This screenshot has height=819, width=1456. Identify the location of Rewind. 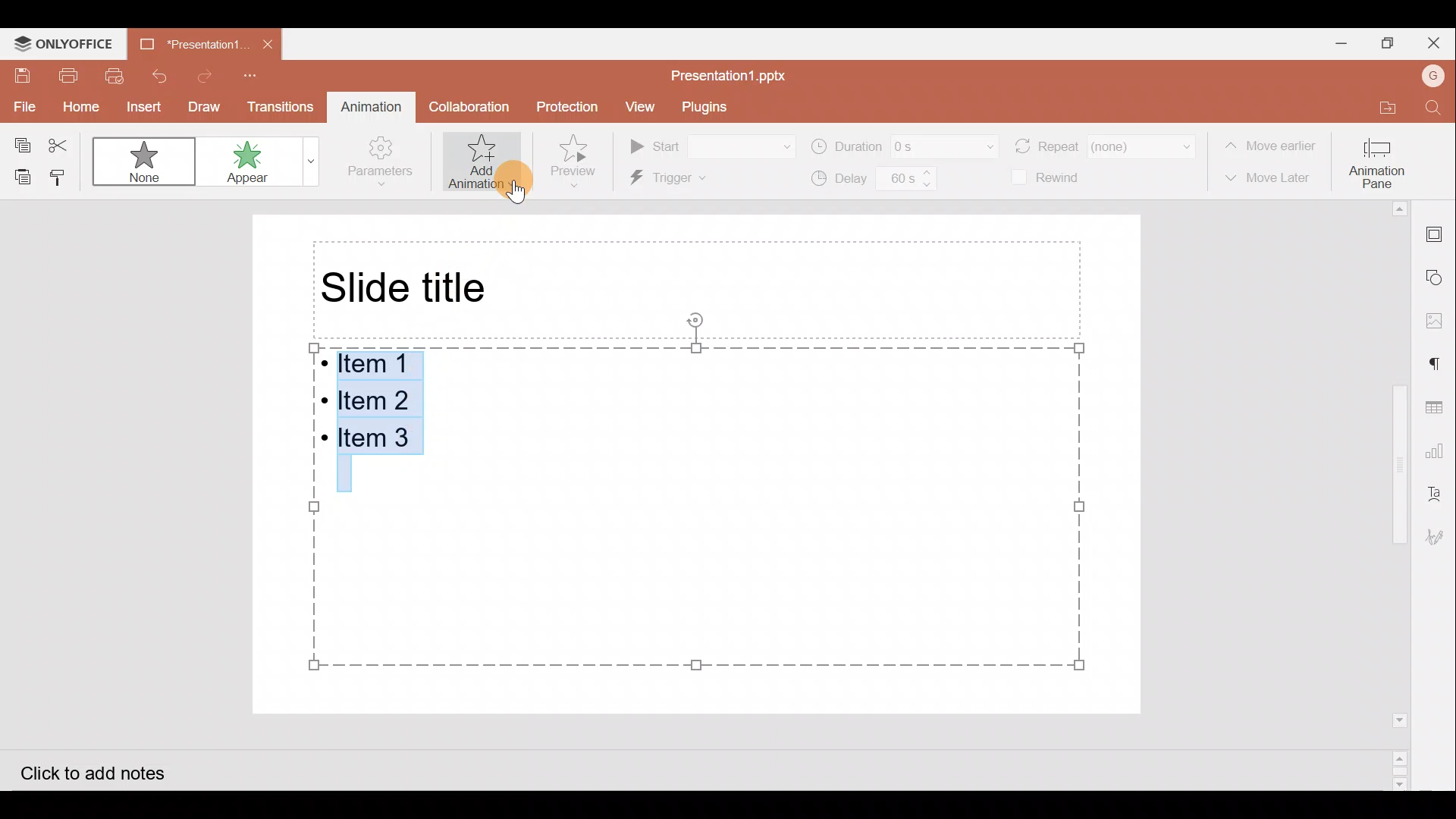
(1050, 178).